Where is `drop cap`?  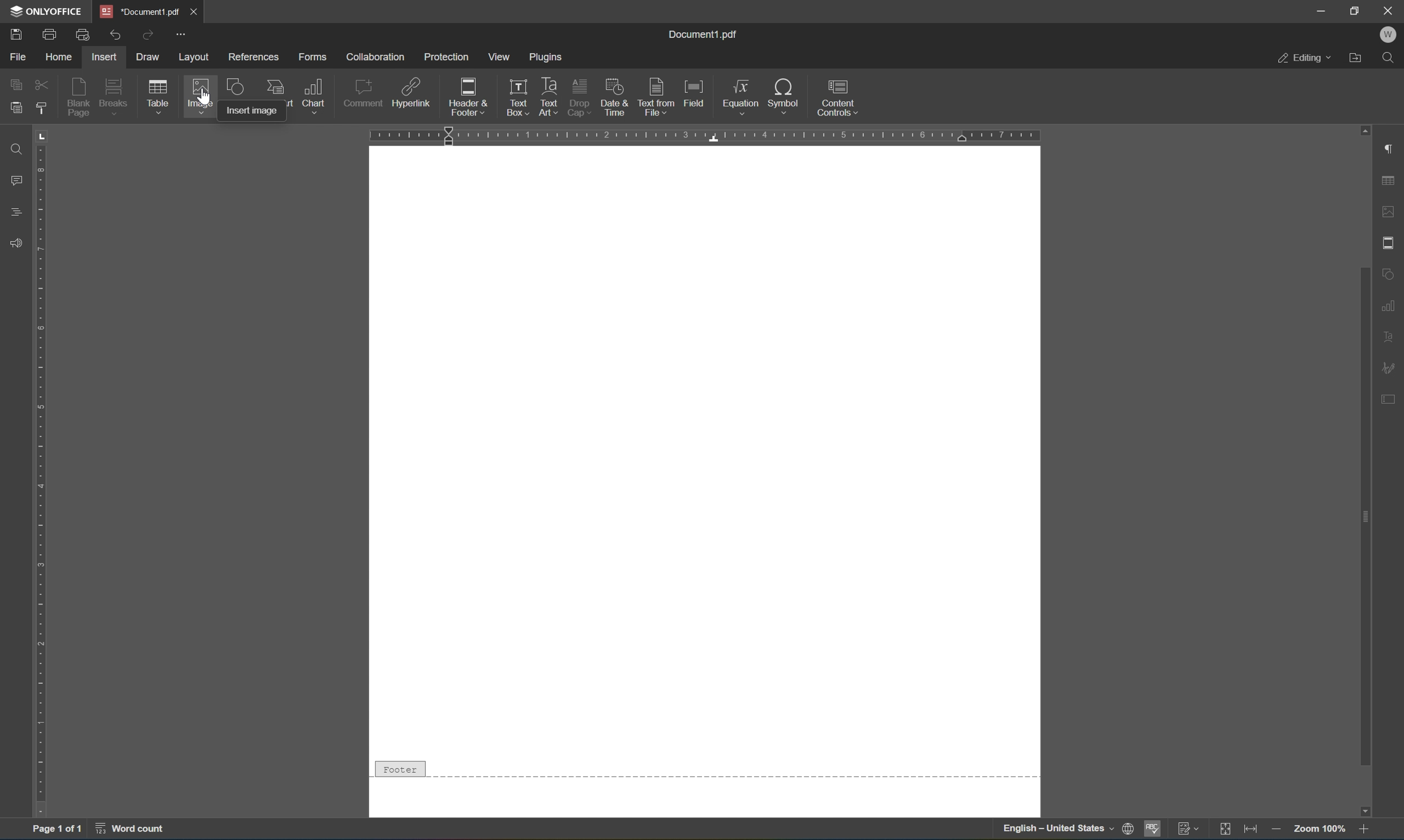
drop cap is located at coordinates (581, 87).